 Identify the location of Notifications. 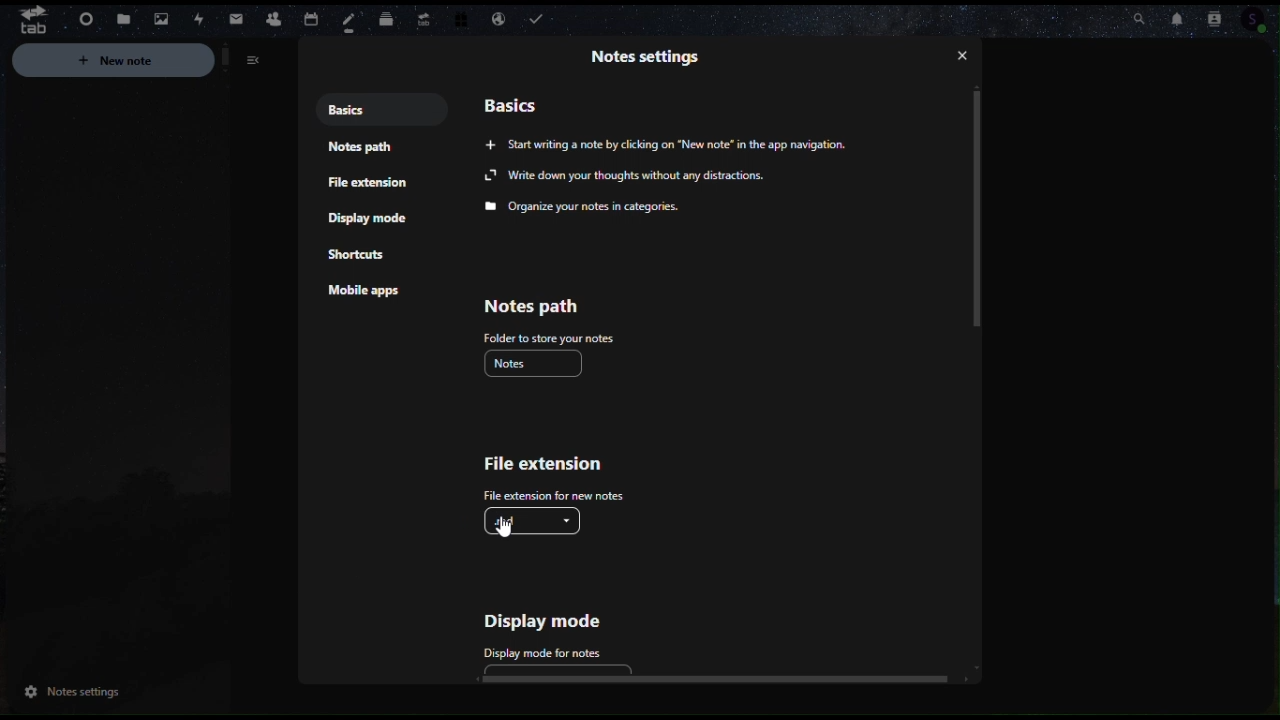
(1182, 20).